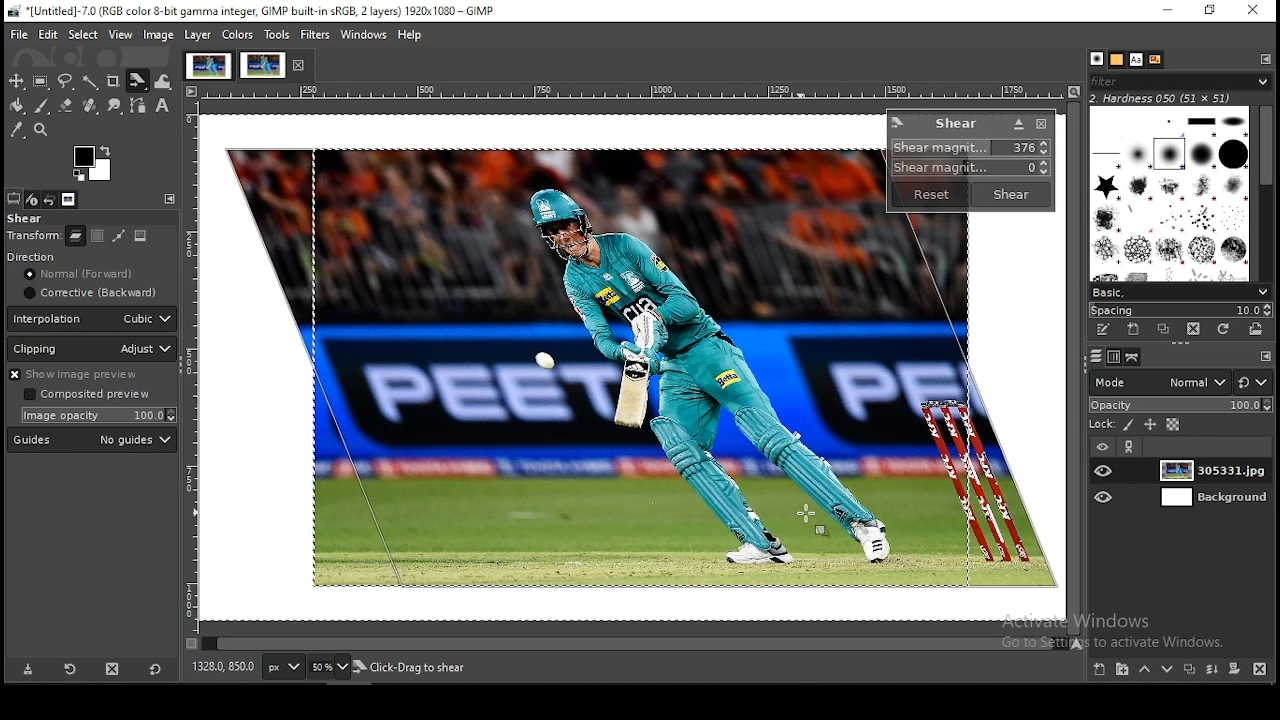  Describe the element at coordinates (1008, 194) in the screenshot. I see `shear` at that location.